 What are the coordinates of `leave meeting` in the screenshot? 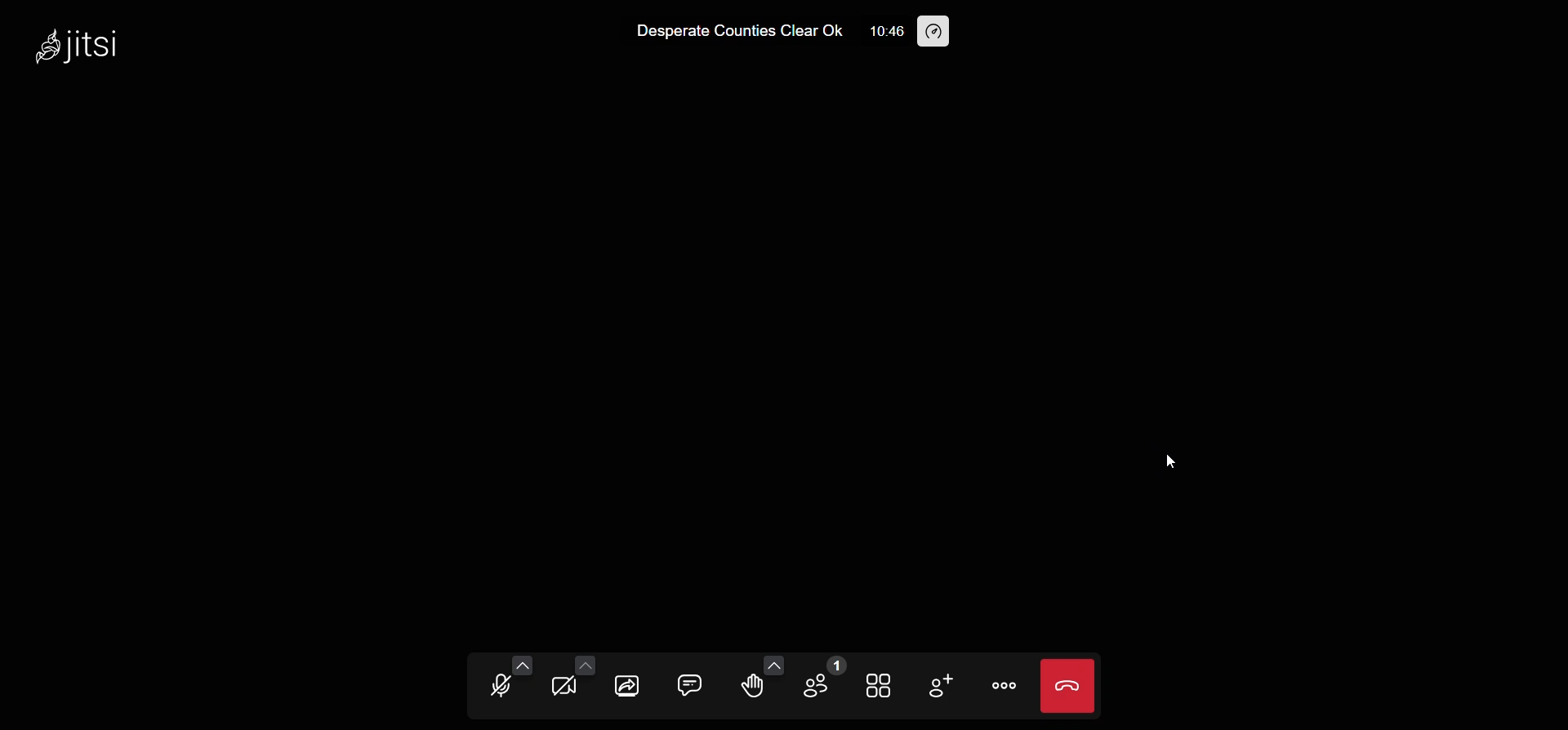 It's located at (1068, 686).